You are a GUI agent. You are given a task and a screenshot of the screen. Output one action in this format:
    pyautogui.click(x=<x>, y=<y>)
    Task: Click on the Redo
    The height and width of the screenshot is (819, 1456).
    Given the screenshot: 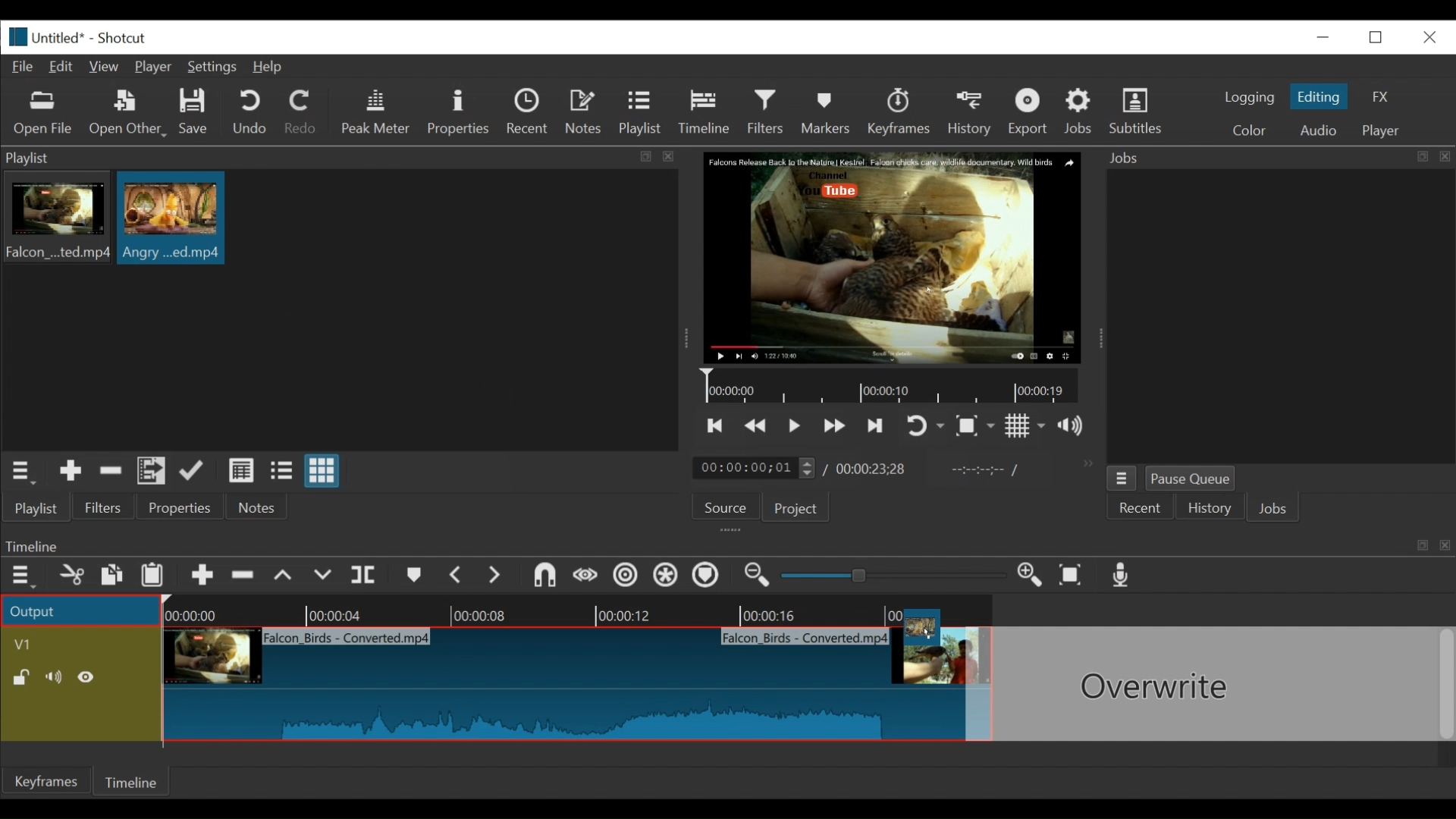 What is the action you would take?
    pyautogui.click(x=301, y=115)
    